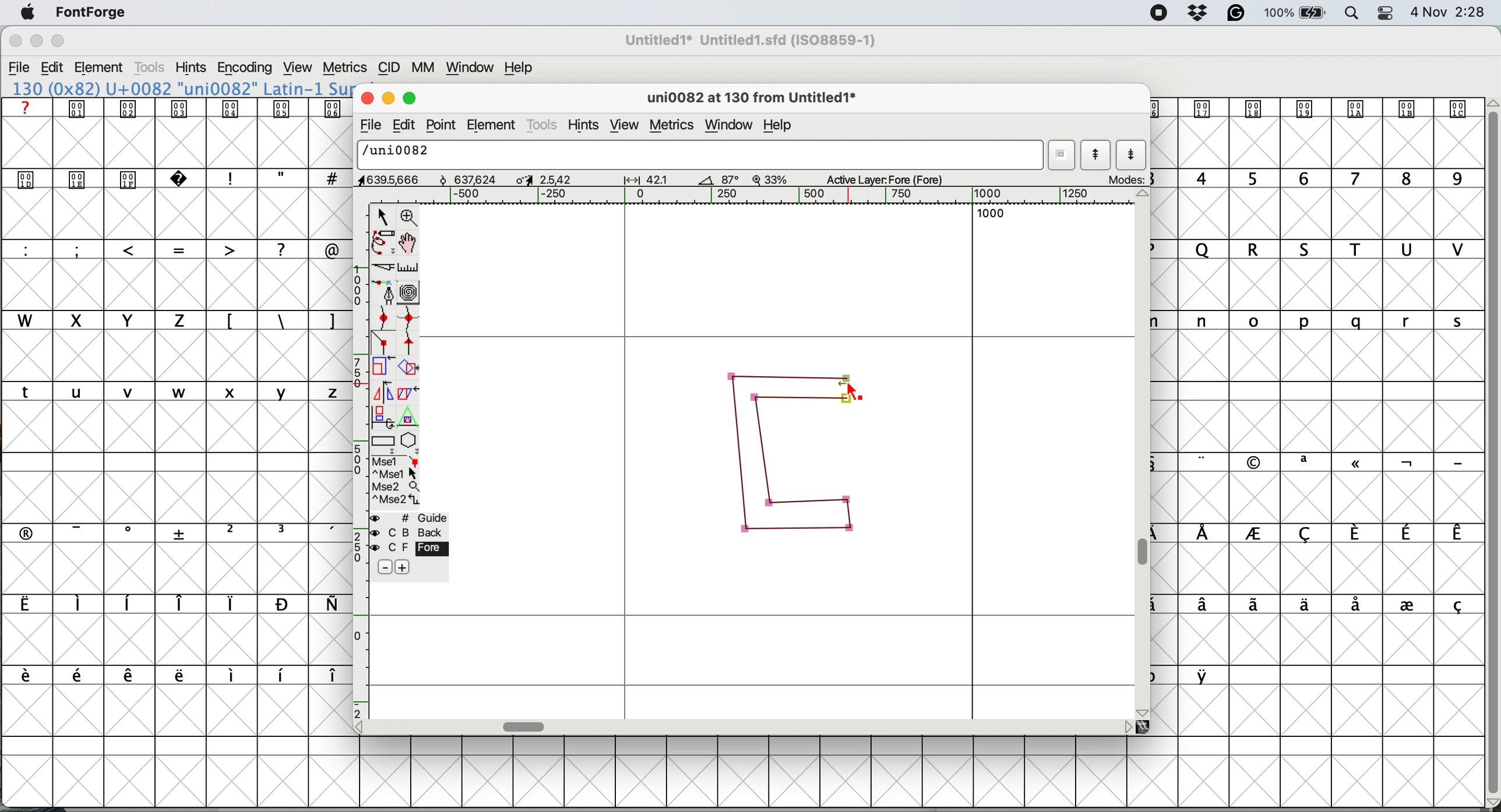 This screenshot has width=1501, height=812. I want to click on corner points connected, so click(788, 373).